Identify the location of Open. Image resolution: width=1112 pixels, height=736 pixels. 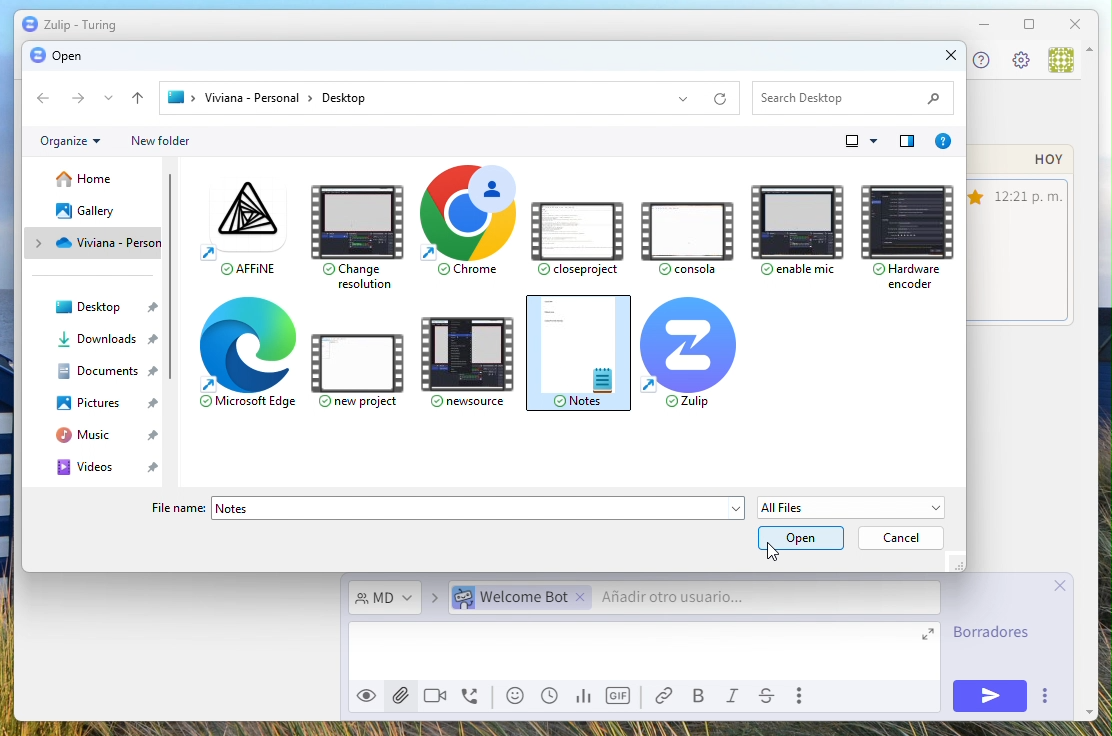
(55, 55).